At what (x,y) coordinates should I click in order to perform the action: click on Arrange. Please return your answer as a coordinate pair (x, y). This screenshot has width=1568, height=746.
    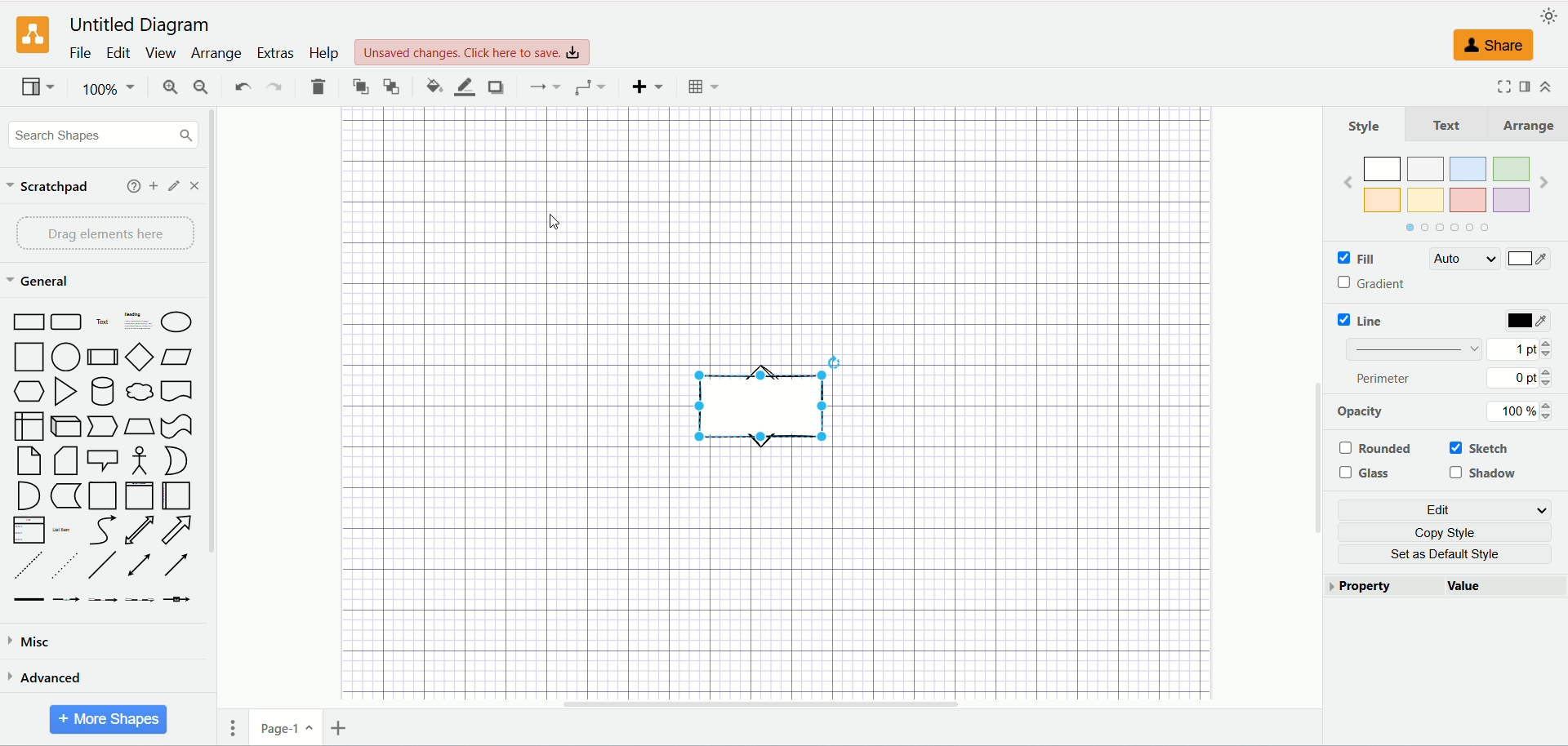
    Looking at the image, I should click on (1523, 125).